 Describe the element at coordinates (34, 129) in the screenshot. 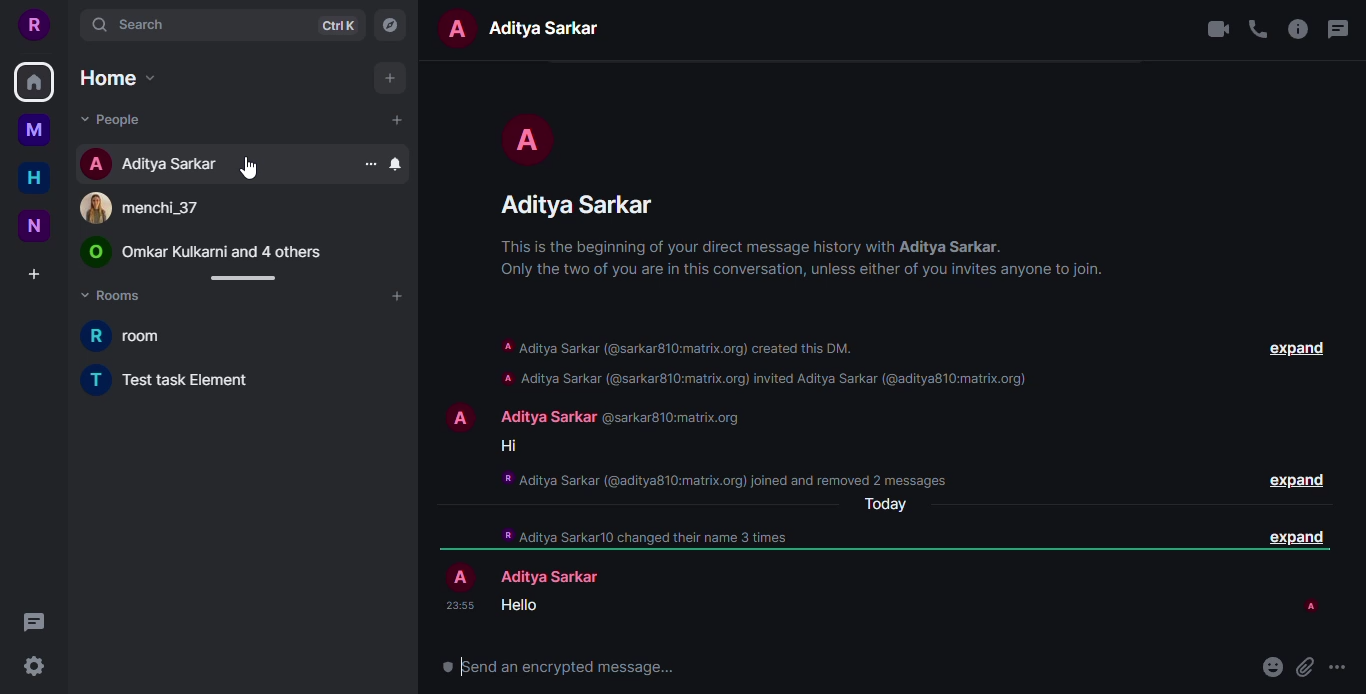

I see `myspace` at that location.